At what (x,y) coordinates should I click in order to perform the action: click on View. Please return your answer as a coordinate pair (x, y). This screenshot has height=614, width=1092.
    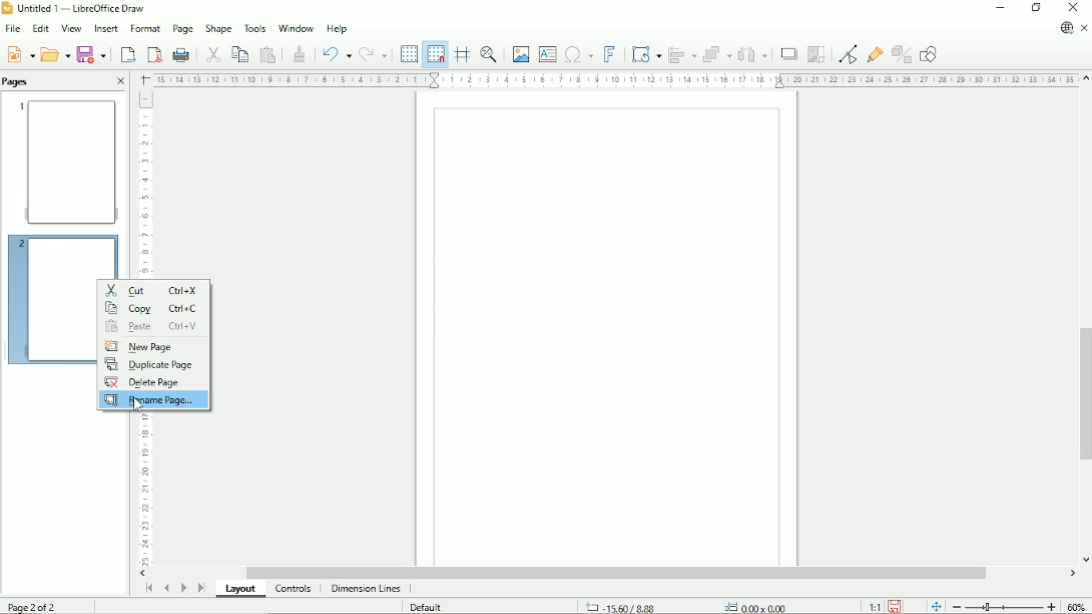
    Looking at the image, I should click on (70, 28).